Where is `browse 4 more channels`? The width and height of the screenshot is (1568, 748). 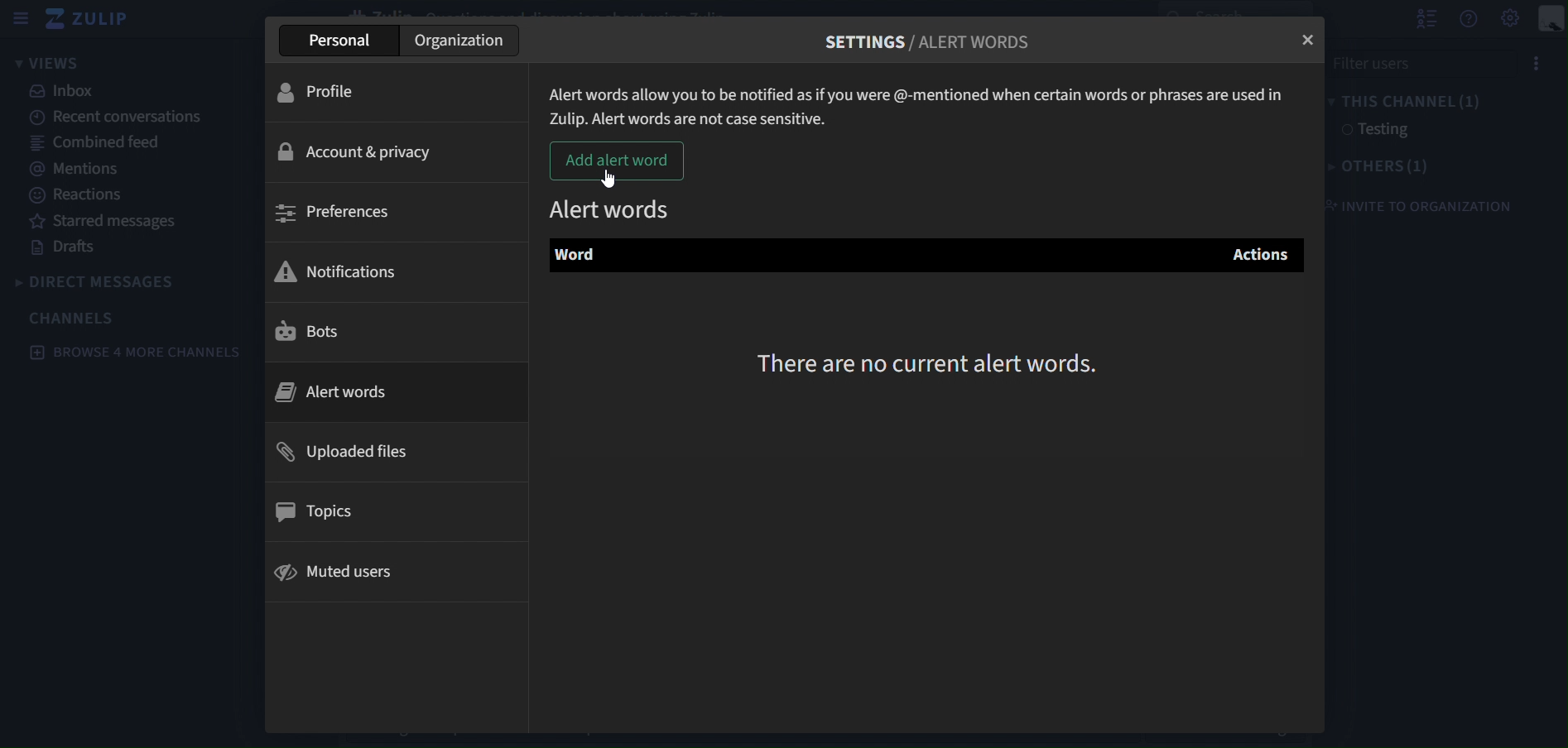 browse 4 more channels is located at coordinates (135, 351).